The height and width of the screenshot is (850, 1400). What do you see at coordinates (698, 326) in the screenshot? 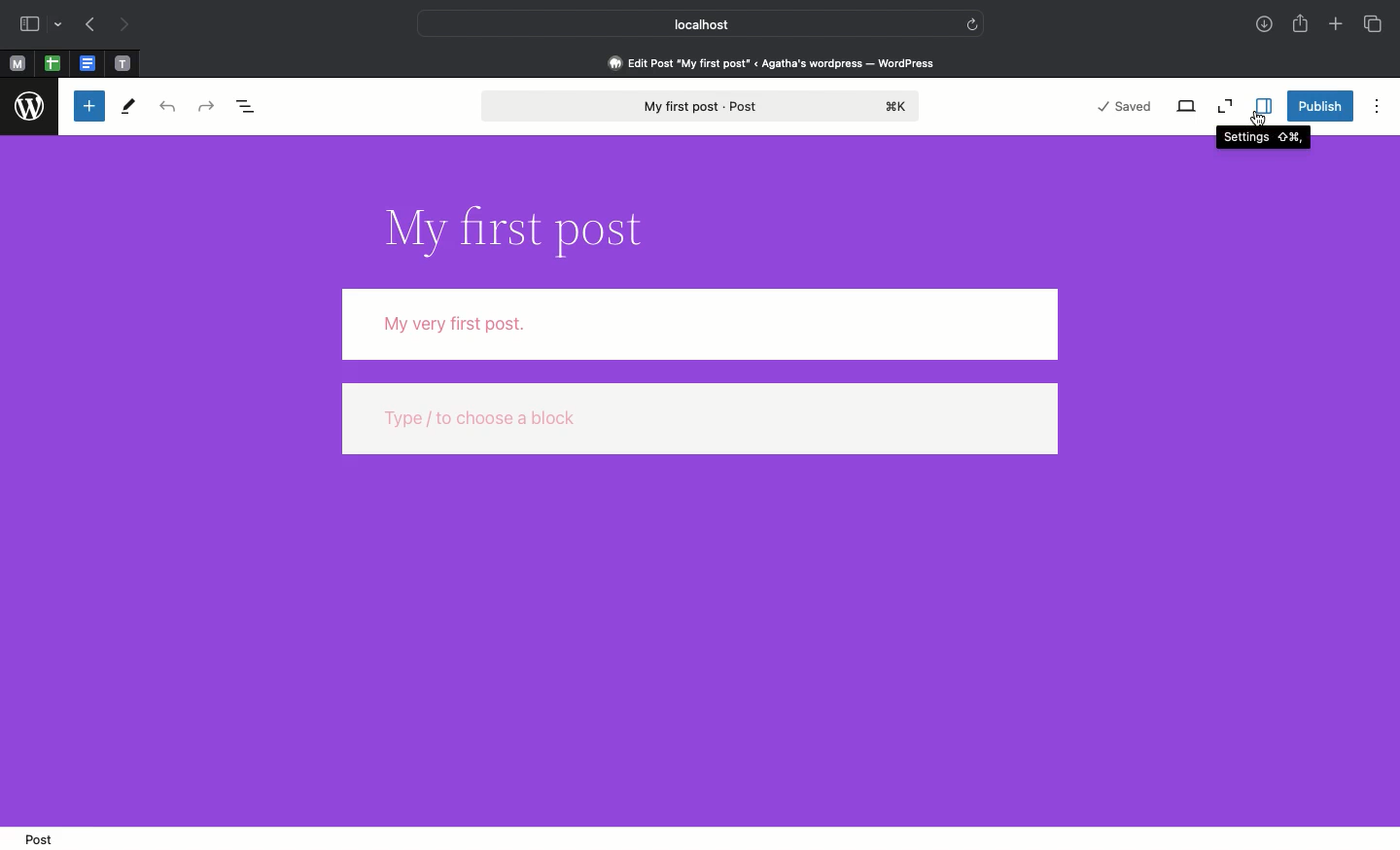
I see `Body` at bounding box center [698, 326].